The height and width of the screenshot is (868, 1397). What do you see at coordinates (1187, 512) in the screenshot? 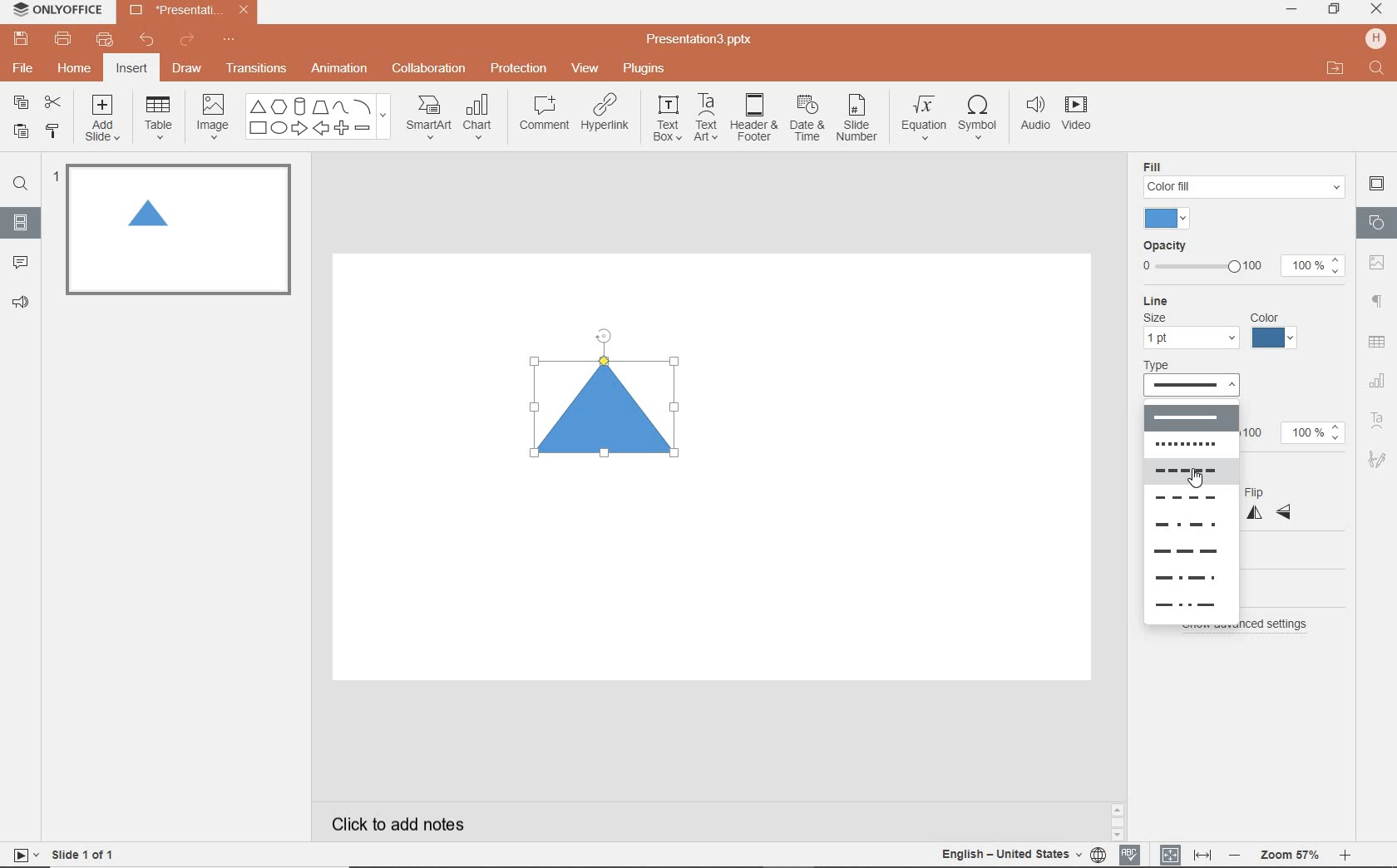
I see `line types` at bounding box center [1187, 512].